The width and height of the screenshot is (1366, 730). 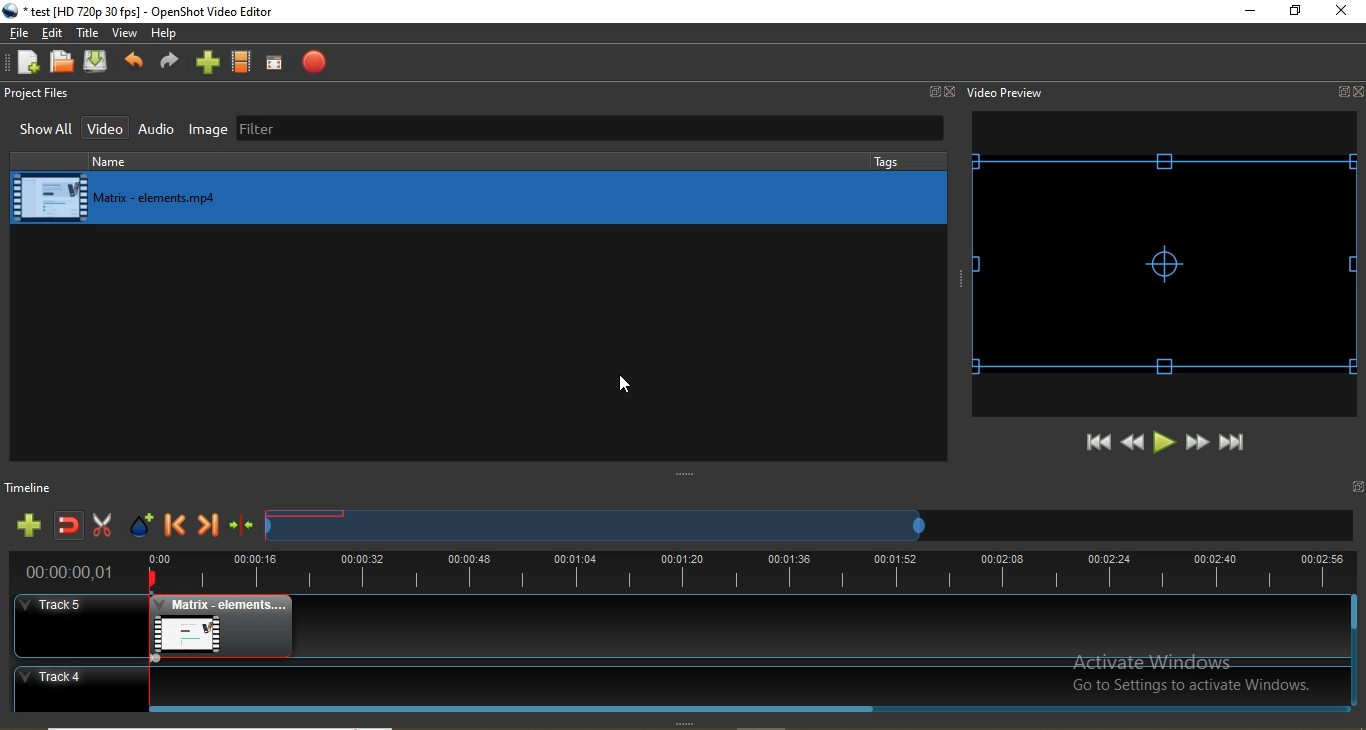 What do you see at coordinates (157, 657) in the screenshot?
I see `fade effect timeline` at bounding box center [157, 657].